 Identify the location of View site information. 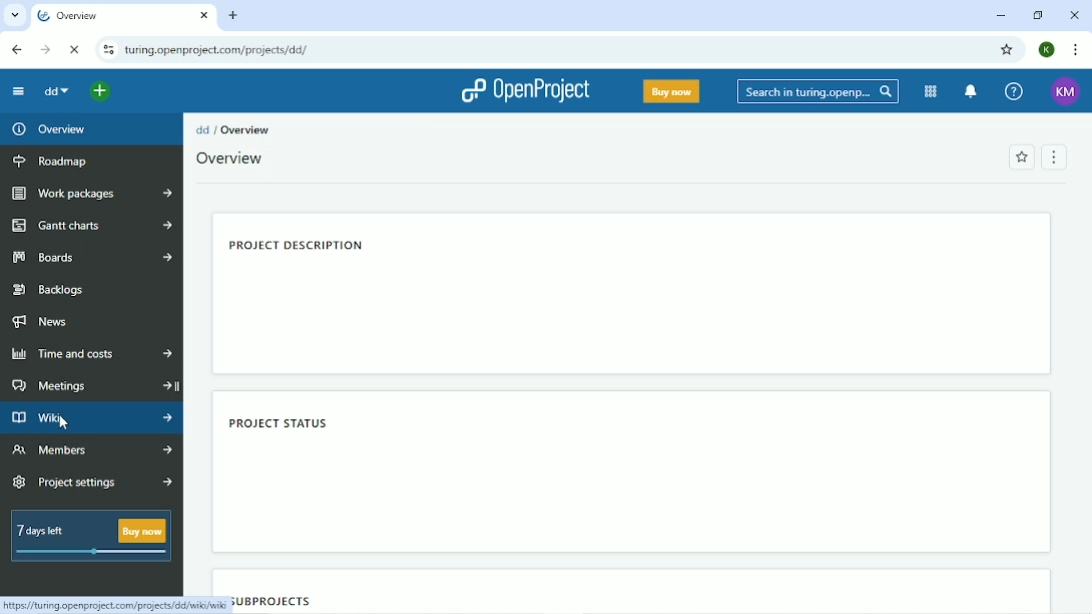
(109, 50).